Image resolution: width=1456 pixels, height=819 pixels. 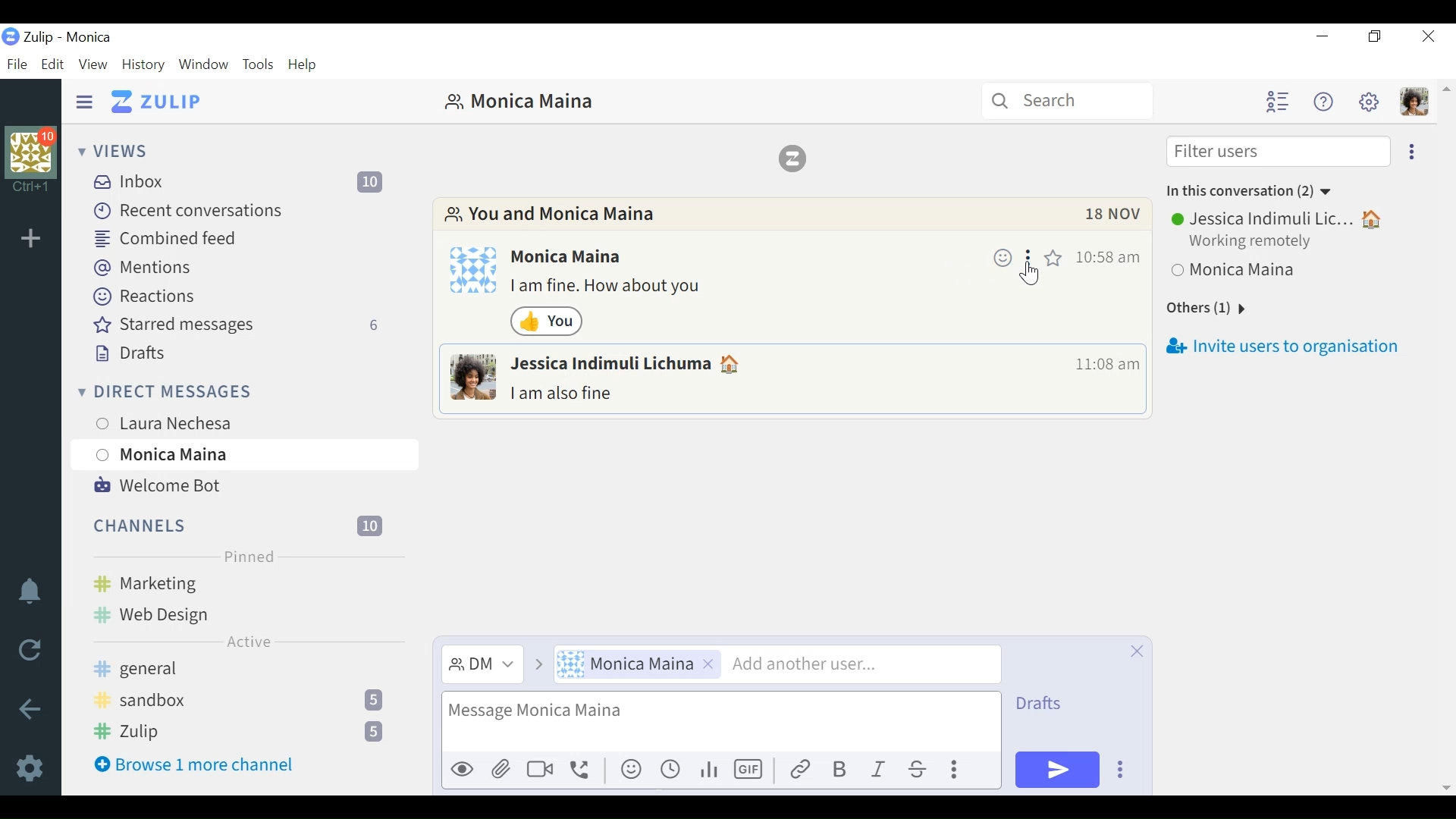 What do you see at coordinates (245, 555) in the screenshot?
I see `Pinned` at bounding box center [245, 555].